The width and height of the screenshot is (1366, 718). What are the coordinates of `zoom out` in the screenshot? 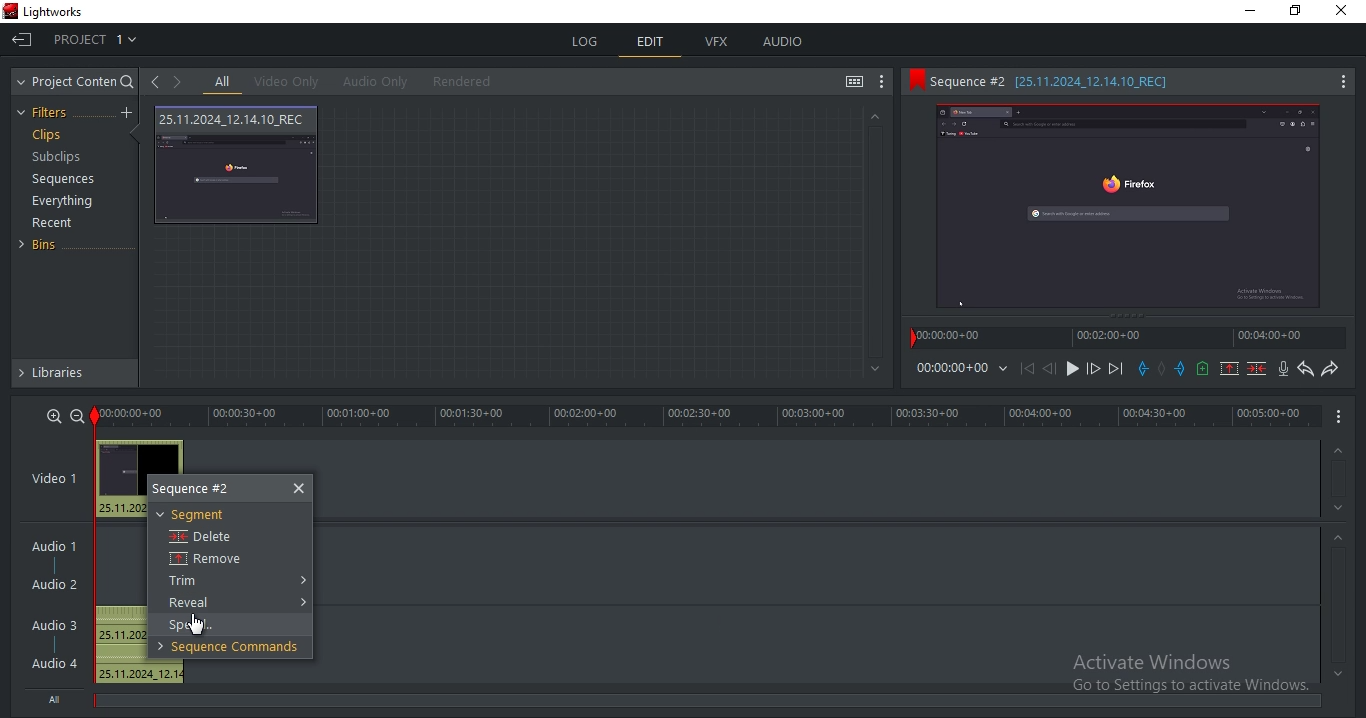 It's located at (75, 415).